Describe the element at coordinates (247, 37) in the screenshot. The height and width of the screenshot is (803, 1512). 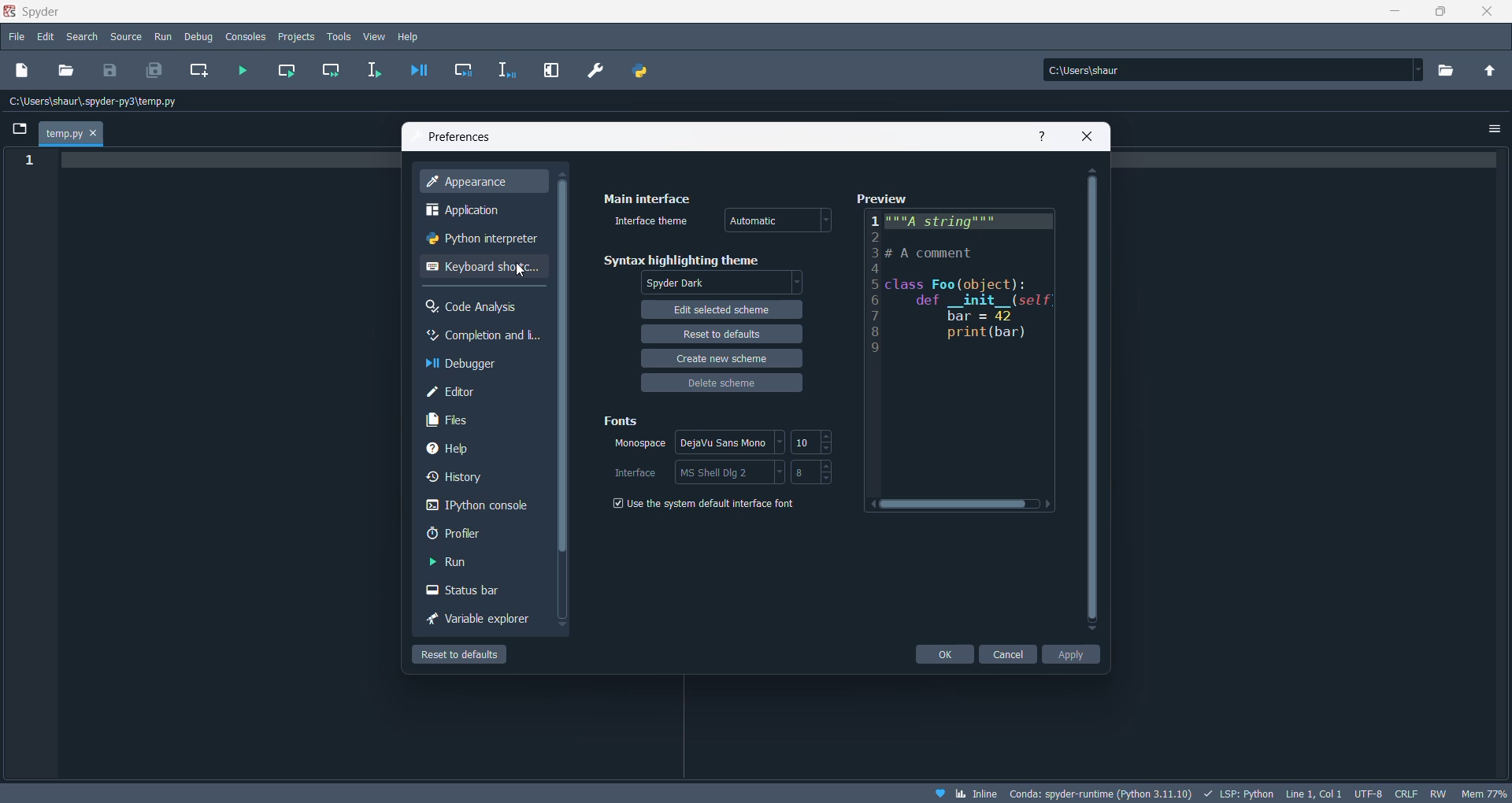
I see `consoles` at that location.